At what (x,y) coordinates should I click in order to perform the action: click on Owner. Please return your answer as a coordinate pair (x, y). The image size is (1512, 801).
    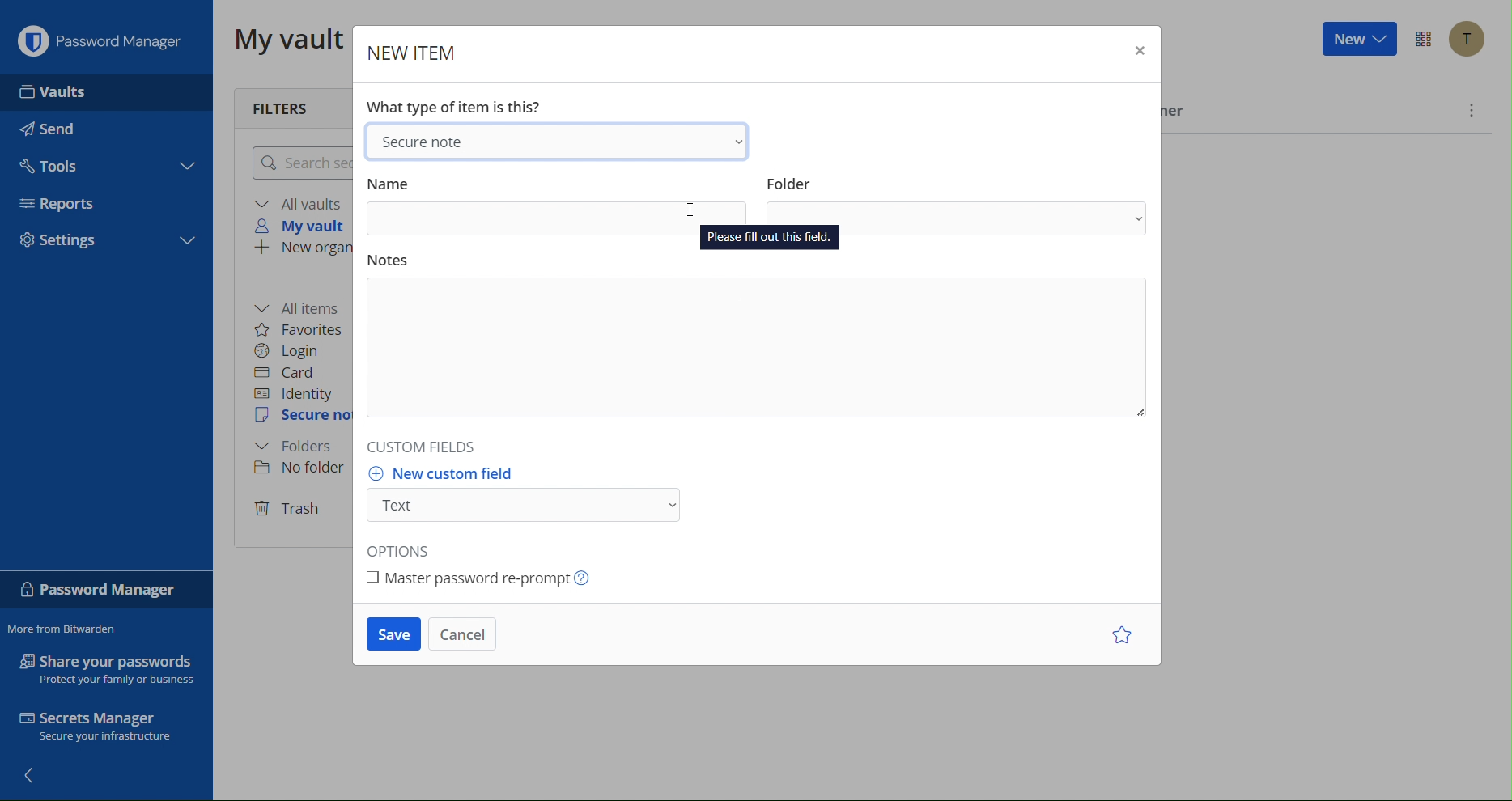
    Looking at the image, I should click on (1179, 114).